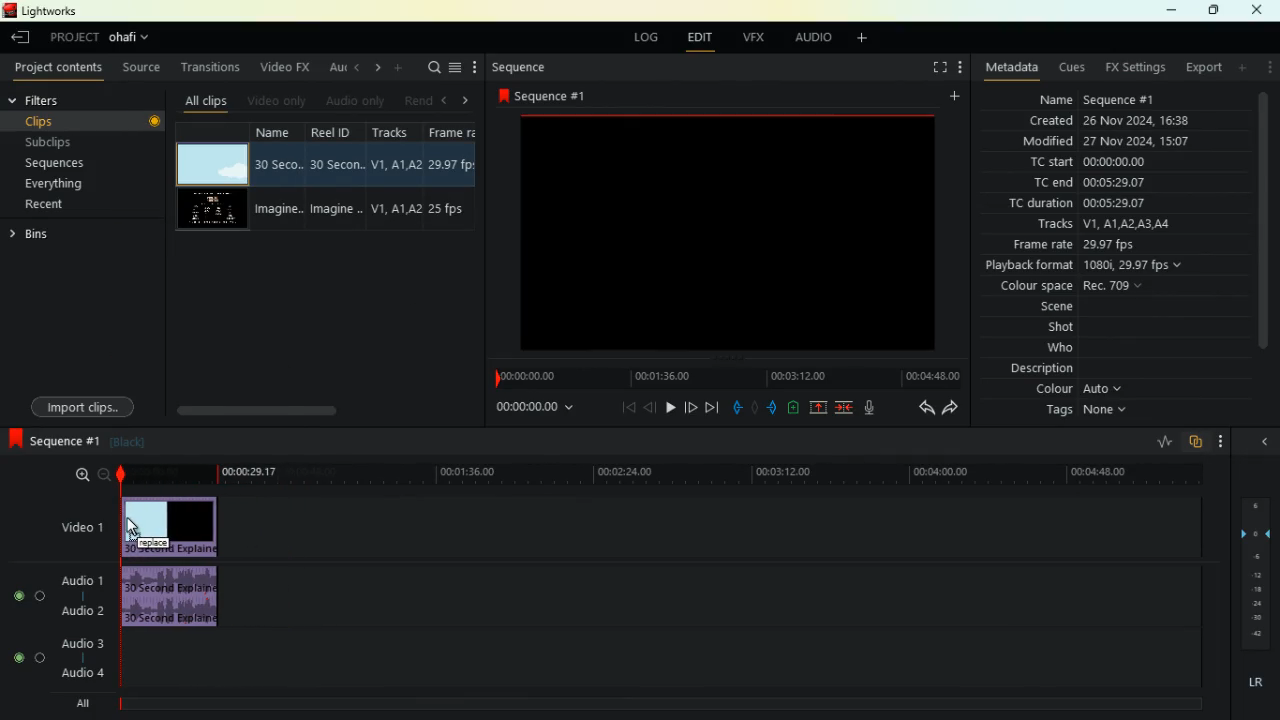 Image resolution: width=1280 pixels, height=720 pixels. I want to click on scroll, so click(1258, 221).